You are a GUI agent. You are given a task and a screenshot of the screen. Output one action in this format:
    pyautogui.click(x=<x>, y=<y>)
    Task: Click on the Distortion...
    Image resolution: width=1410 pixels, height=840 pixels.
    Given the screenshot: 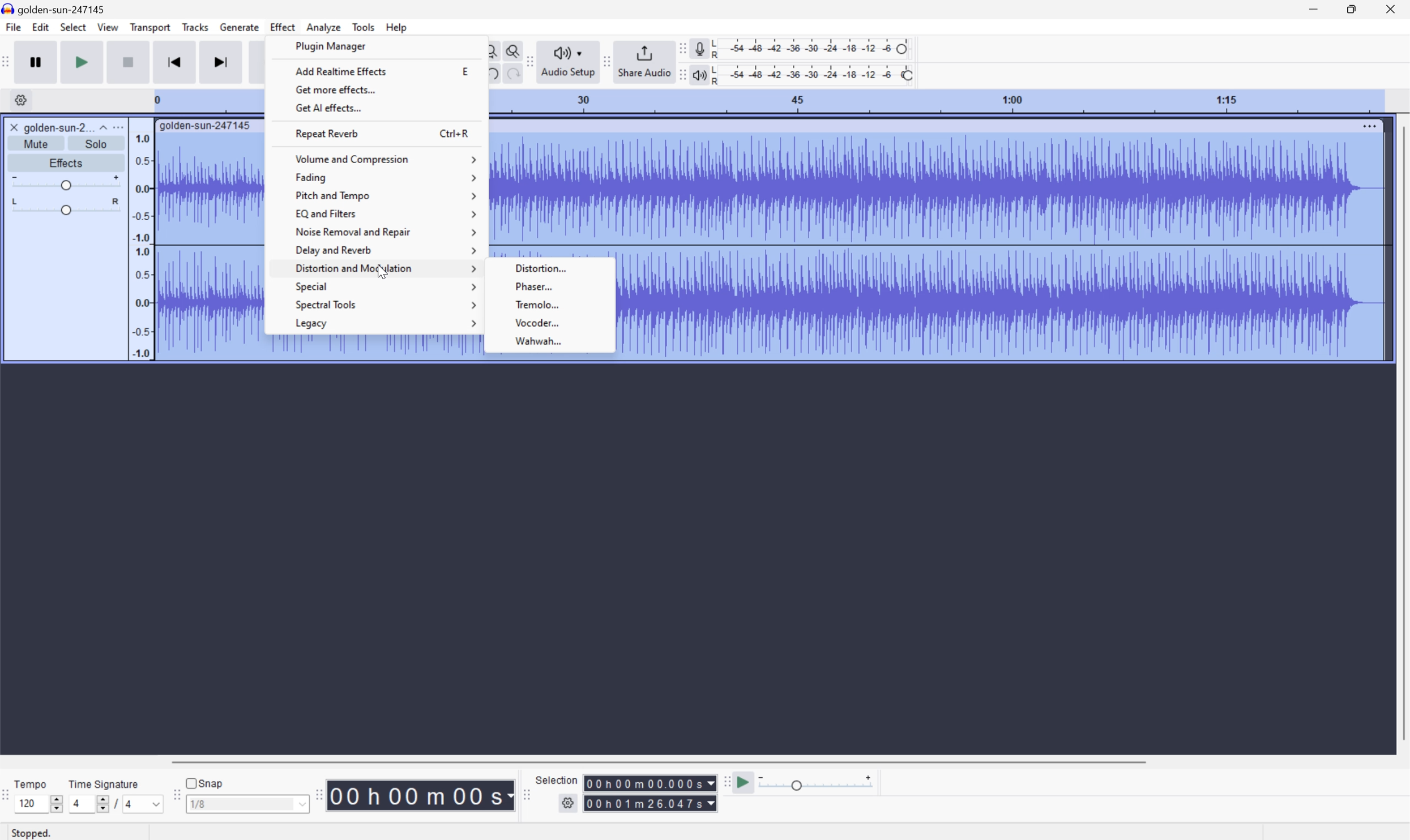 What is the action you would take?
    pyautogui.click(x=556, y=267)
    